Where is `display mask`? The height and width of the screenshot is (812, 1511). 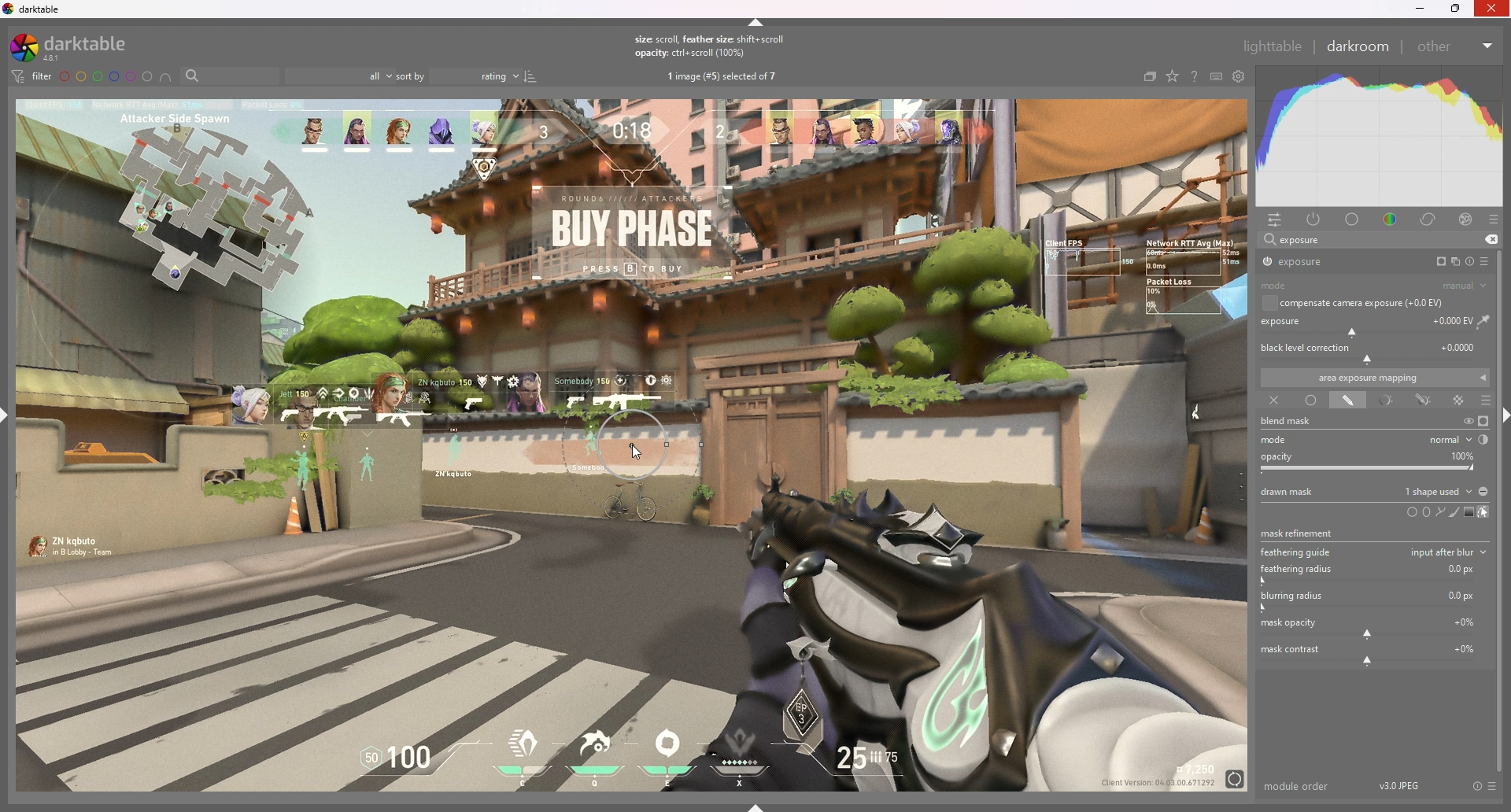 display mask is located at coordinates (1483, 422).